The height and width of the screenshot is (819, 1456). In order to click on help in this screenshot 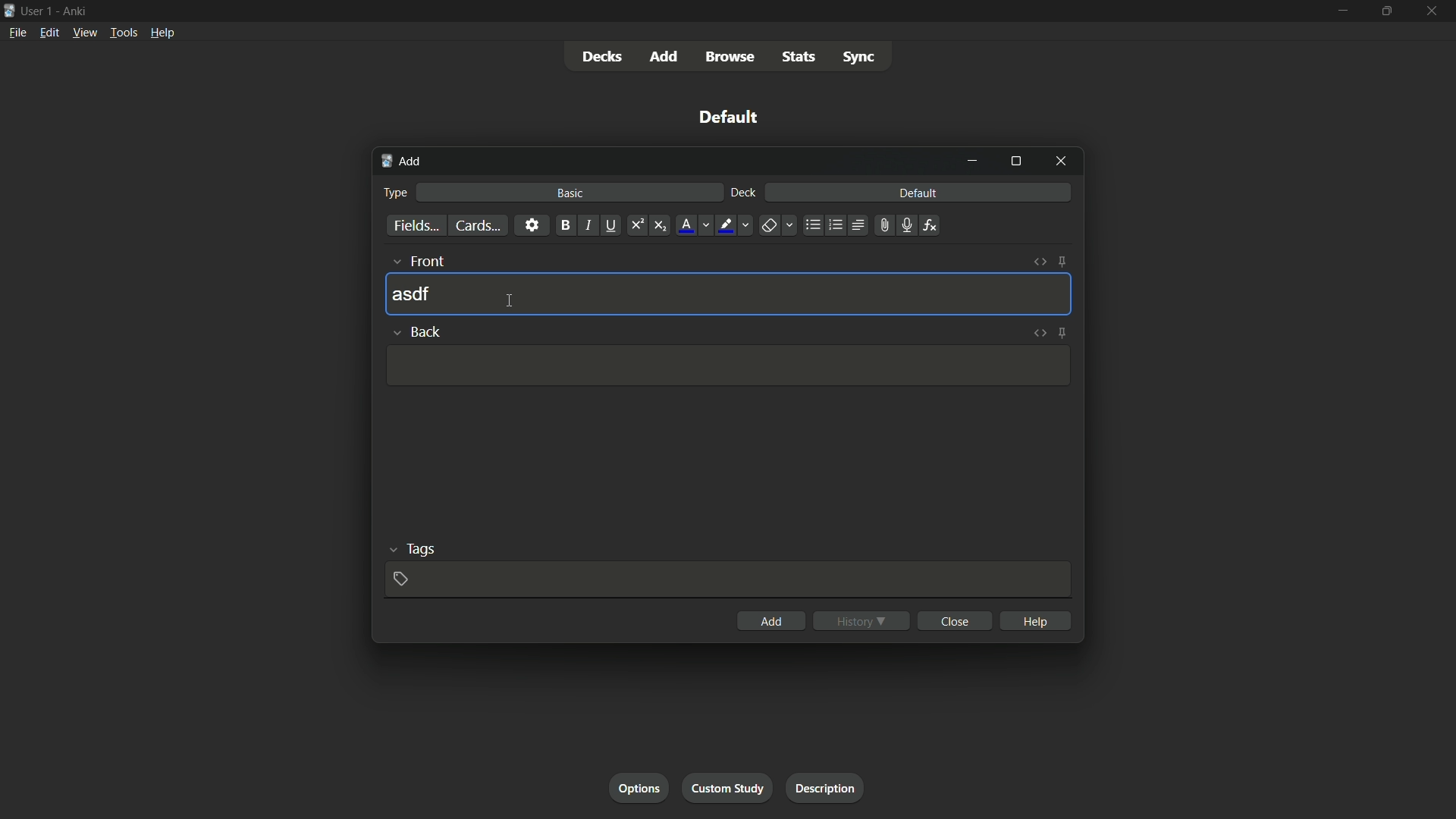, I will do `click(163, 35)`.